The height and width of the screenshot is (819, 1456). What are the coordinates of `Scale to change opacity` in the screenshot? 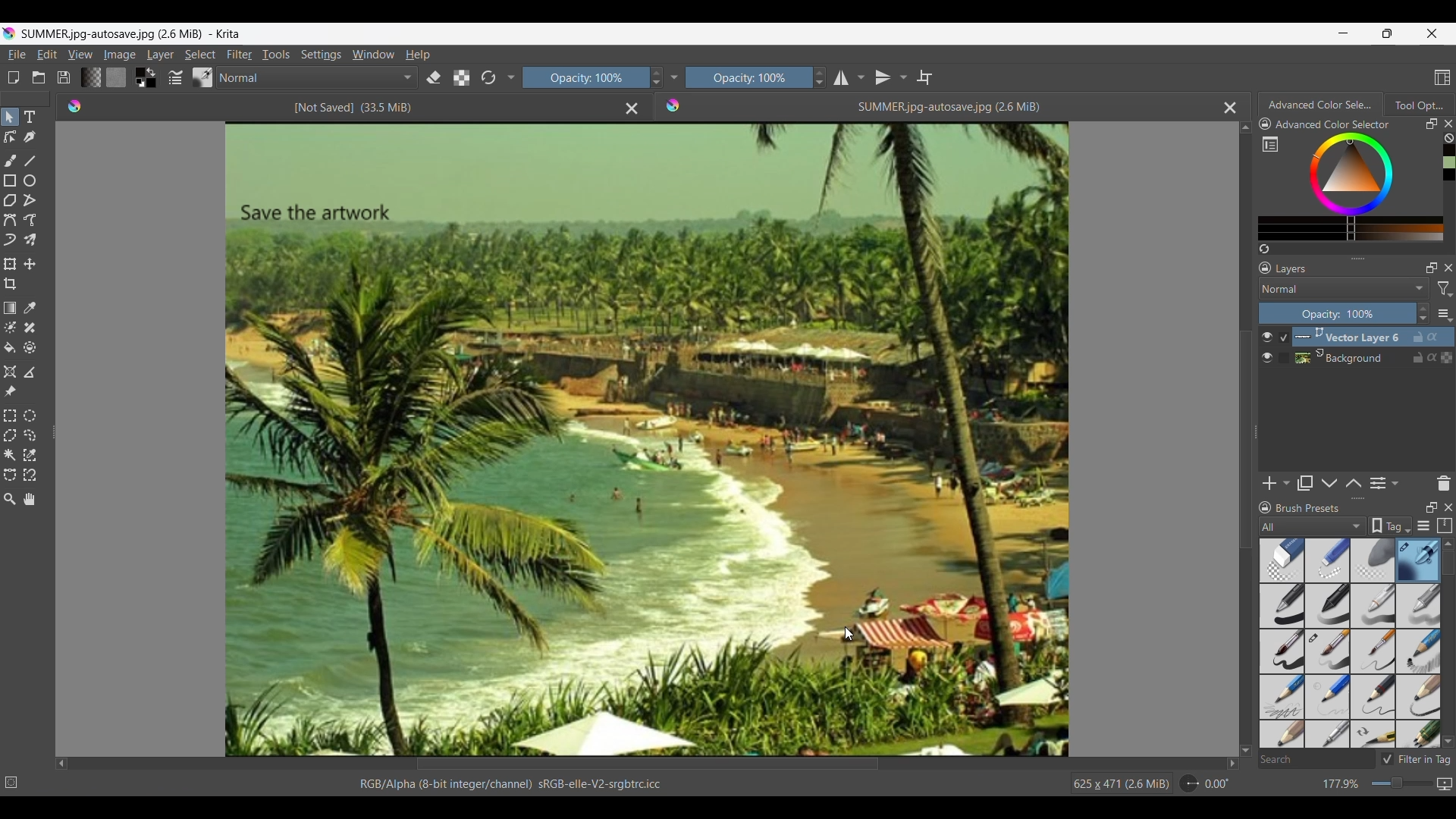 It's located at (582, 78).